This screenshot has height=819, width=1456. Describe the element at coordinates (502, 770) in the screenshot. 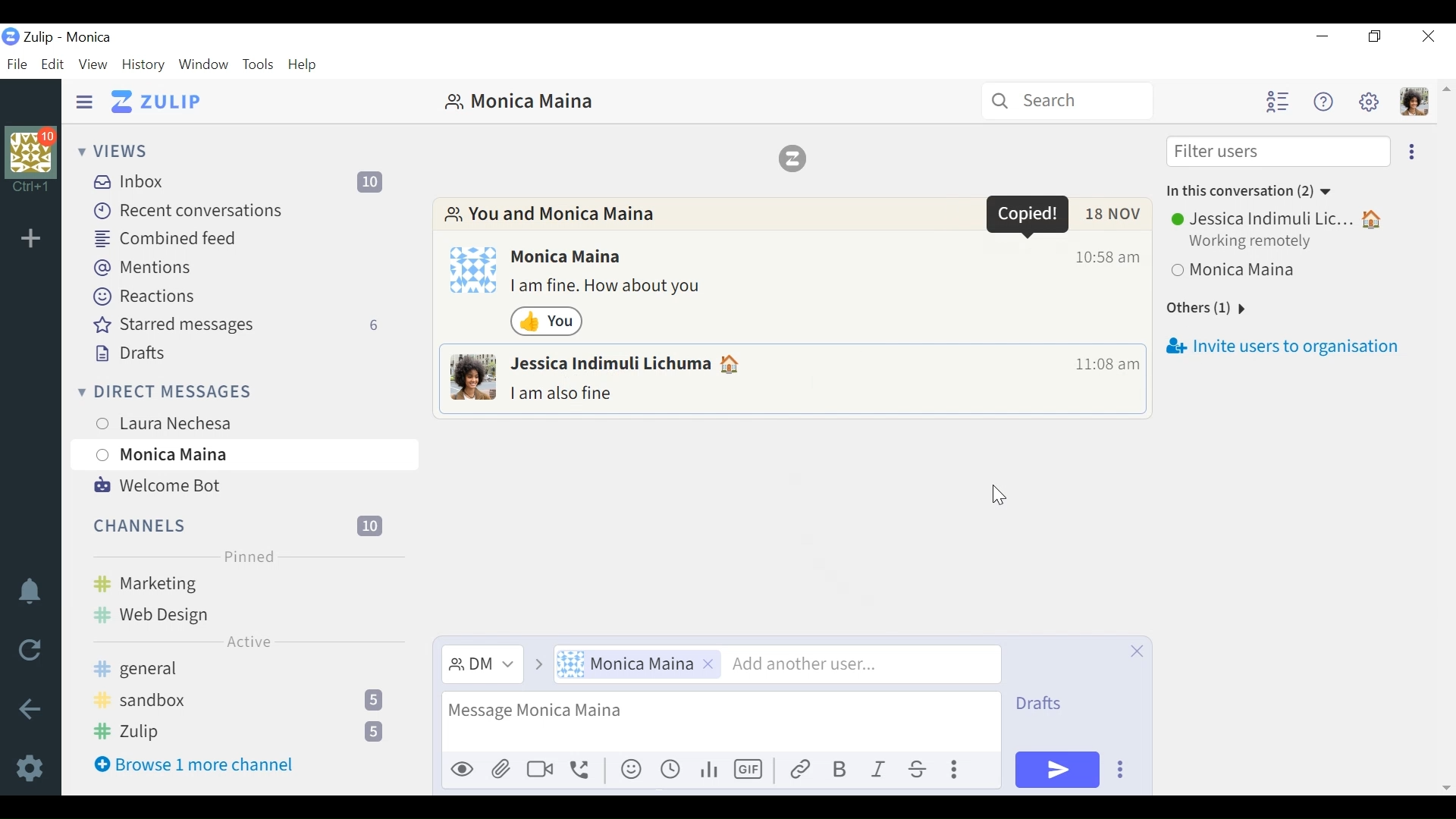

I see `attach` at that location.